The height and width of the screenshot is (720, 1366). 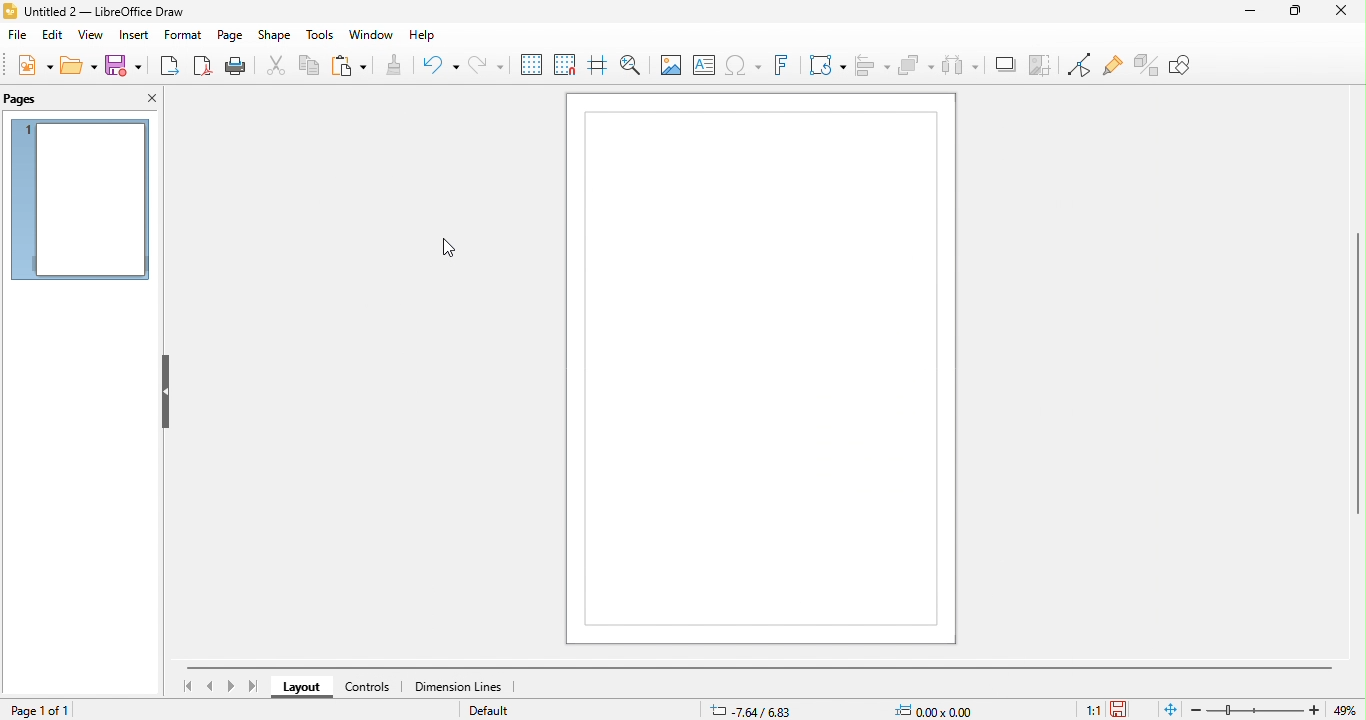 I want to click on edit, so click(x=53, y=35).